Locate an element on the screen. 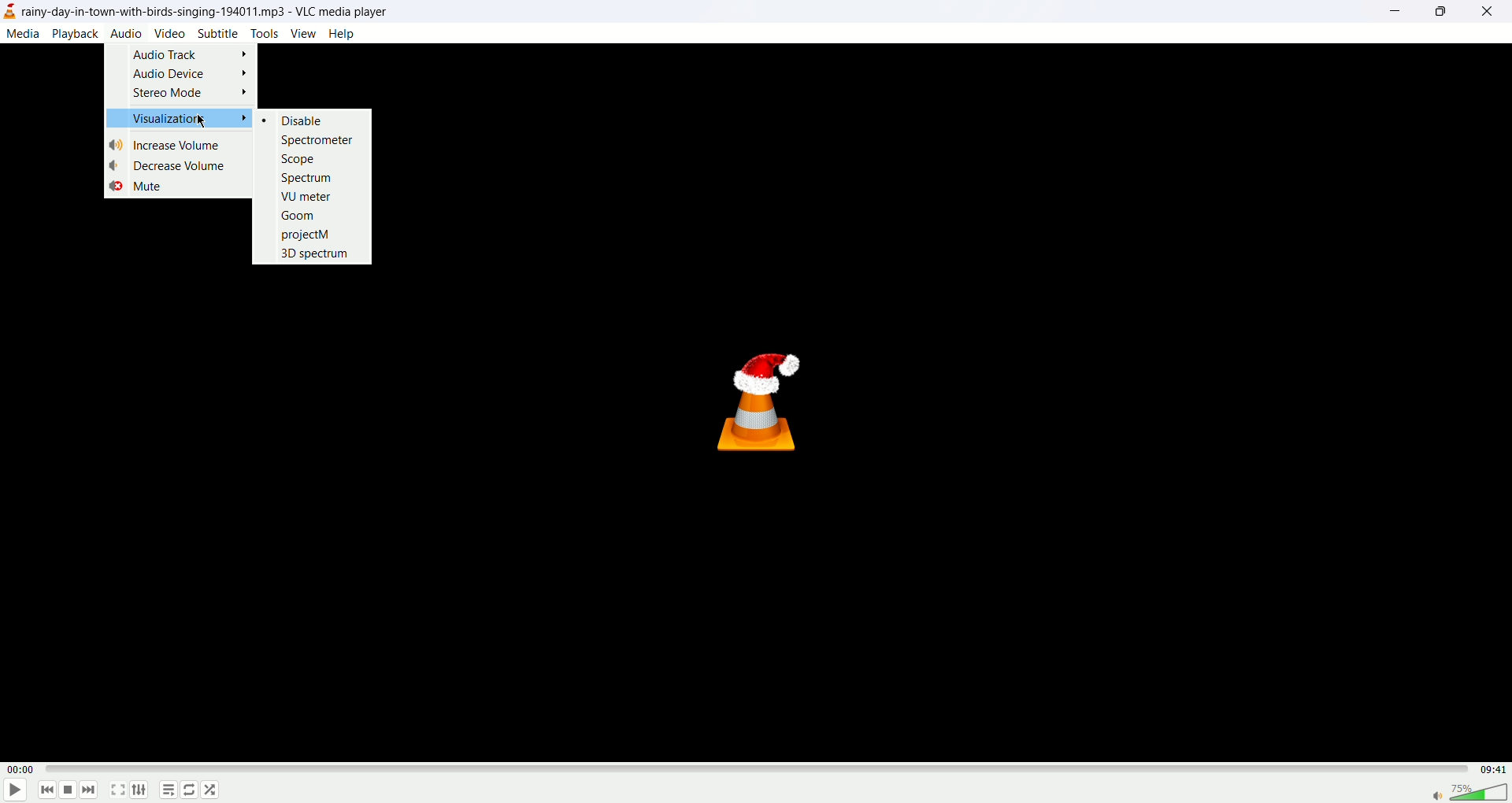 The image size is (1512, 803). scope is located at coordinates (298, 160).